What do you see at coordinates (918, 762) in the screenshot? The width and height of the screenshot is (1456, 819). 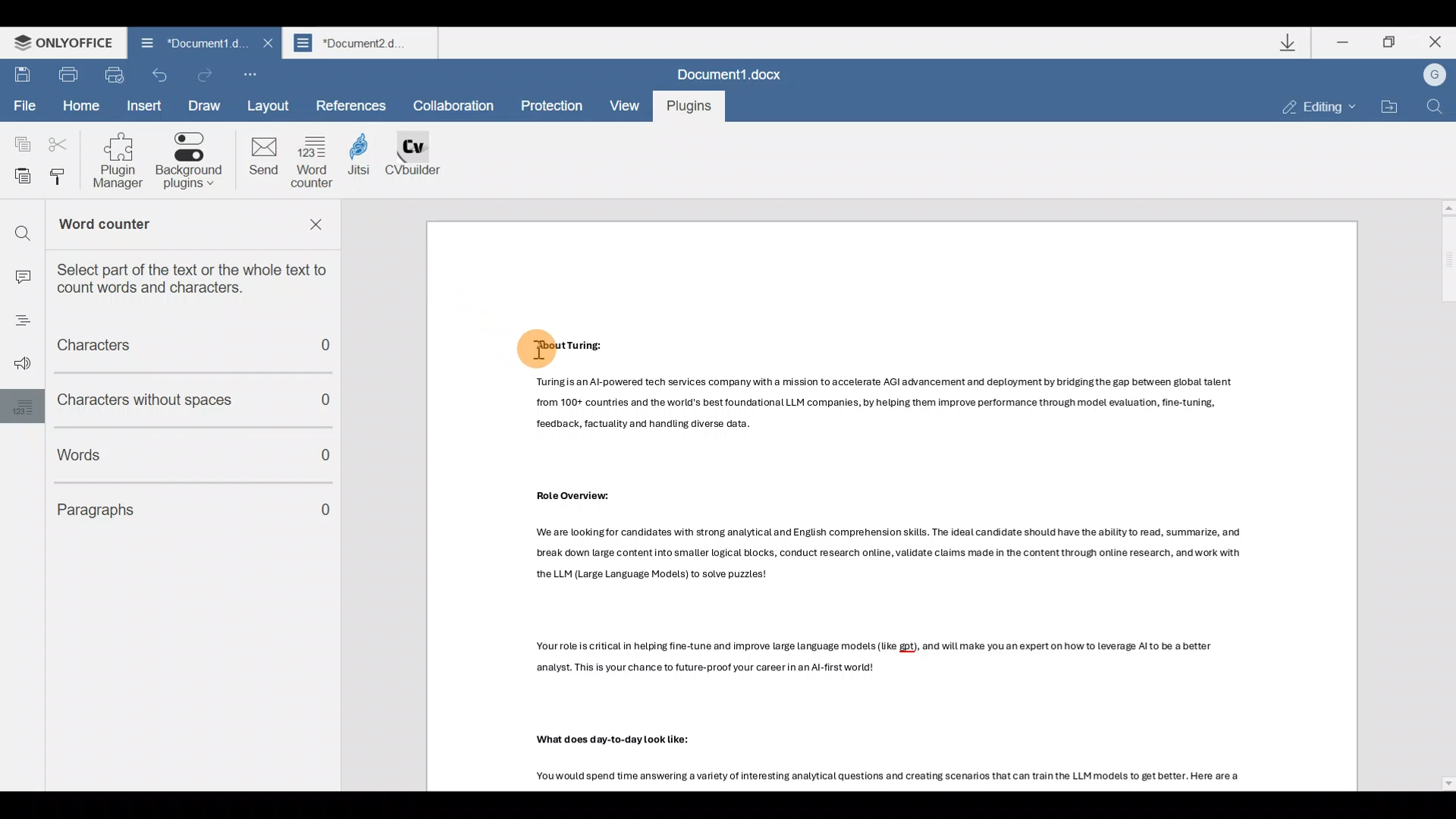 I see `What does day-to-day Look like:
Youwould spend time answering a variety of interesting analytical questions and creating scenarios that can train the LLM models to get better. Here are a` at bounding box center [918, 762].